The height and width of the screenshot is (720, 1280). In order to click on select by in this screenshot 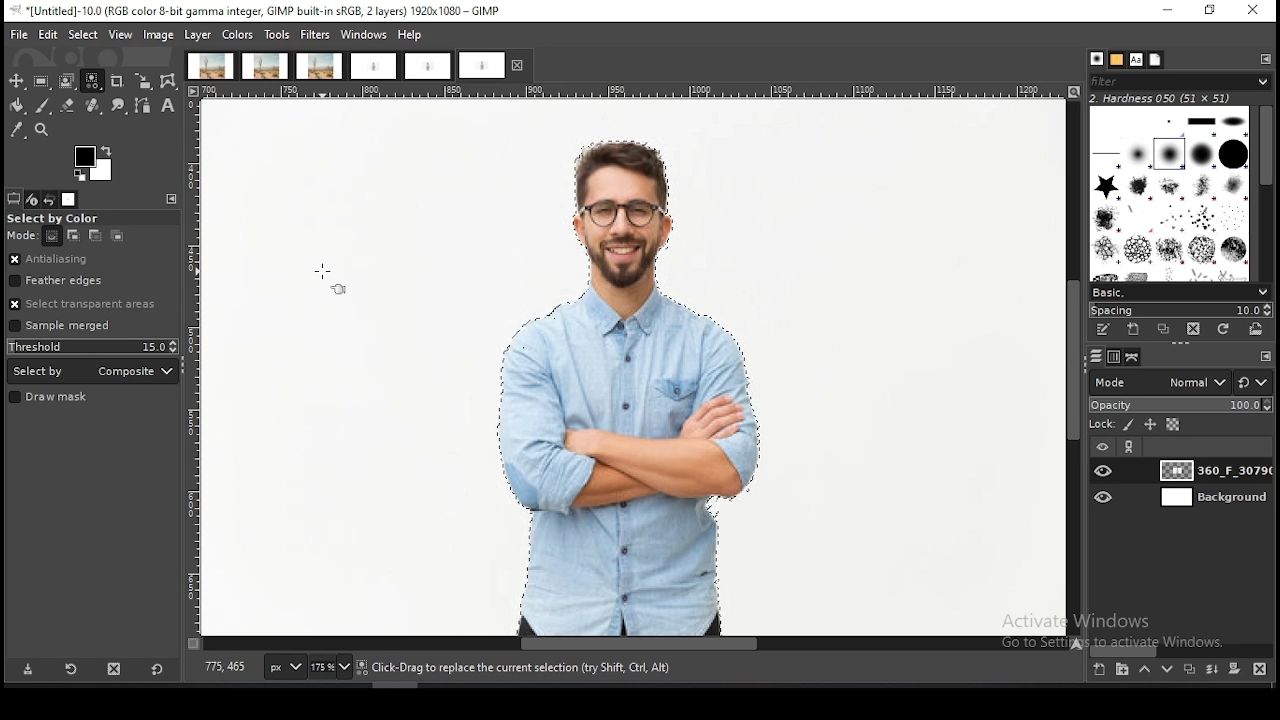, I will do `click(93, 371)`.